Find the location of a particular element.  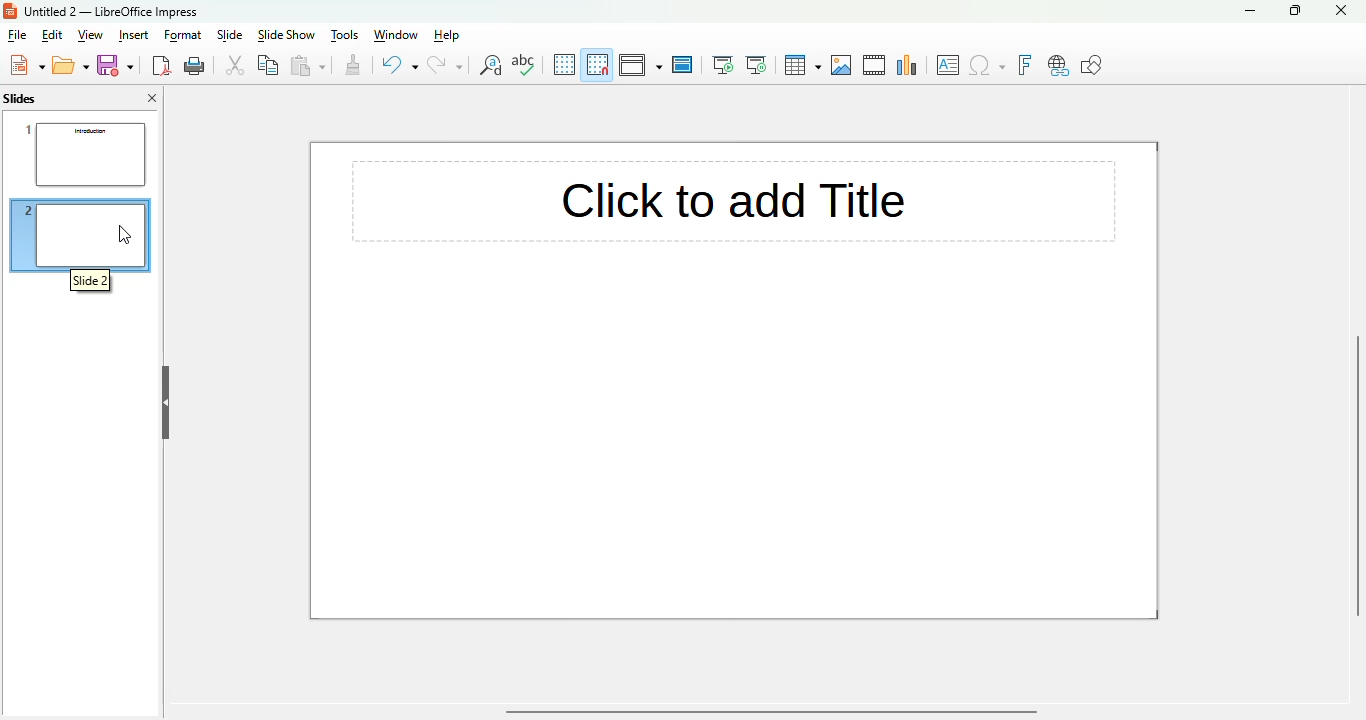

untitled 2 - libreoffice impress is located at coordinates (111, 11).